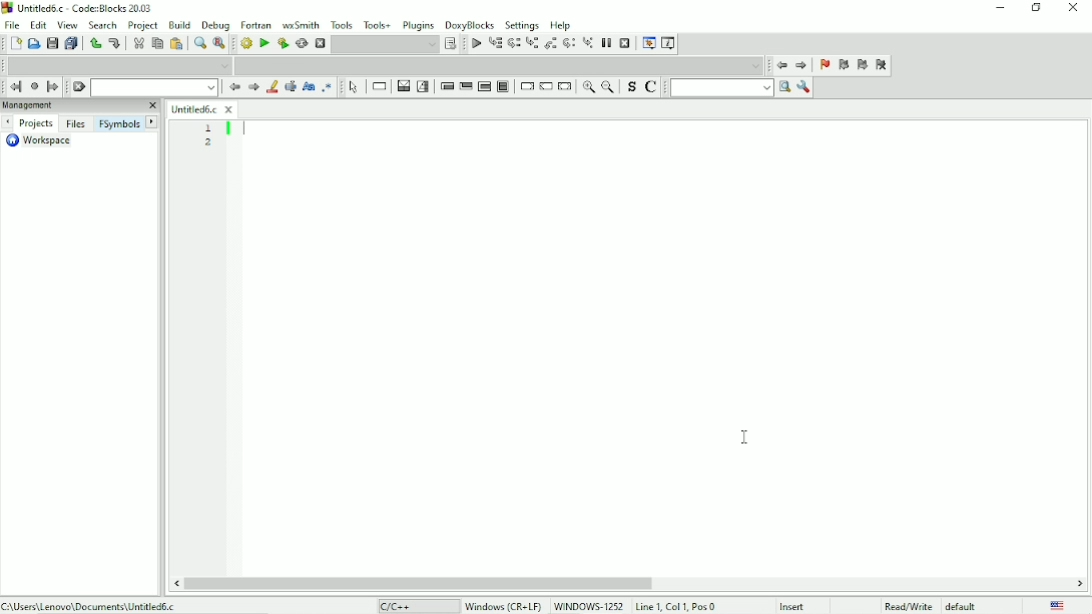 This screenshot has height=614, width=1092. What do you see at coordinates (843, 65) in the screenshot?
I see `Prev bookmark` at bounding box center [843, 65].